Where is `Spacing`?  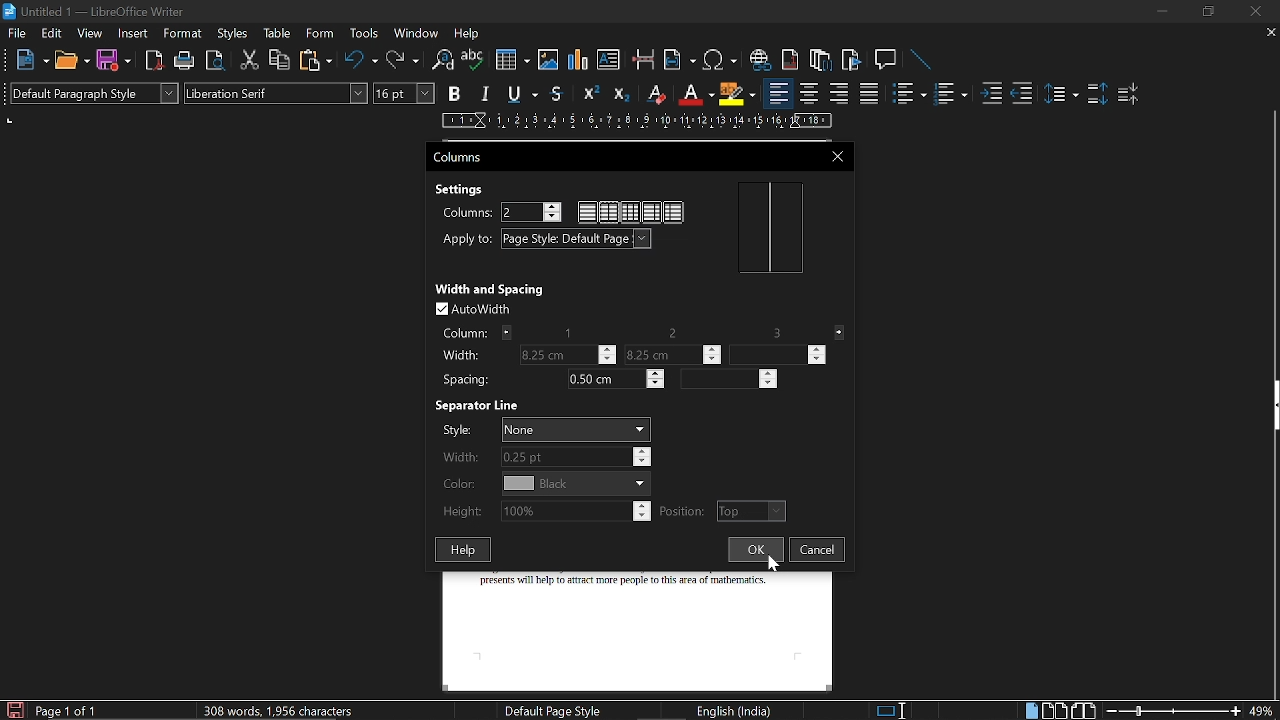 Spacing is located at coordinates (467, 380).